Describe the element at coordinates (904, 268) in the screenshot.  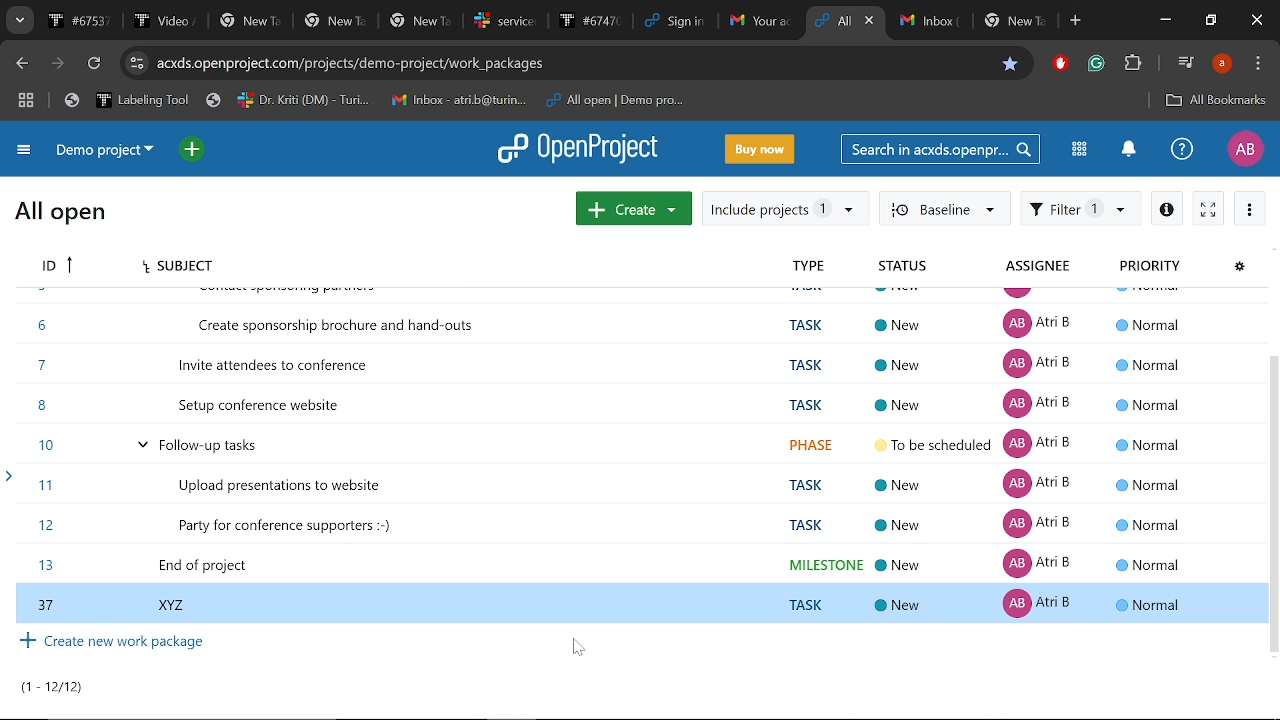
I see `Status` at that location.